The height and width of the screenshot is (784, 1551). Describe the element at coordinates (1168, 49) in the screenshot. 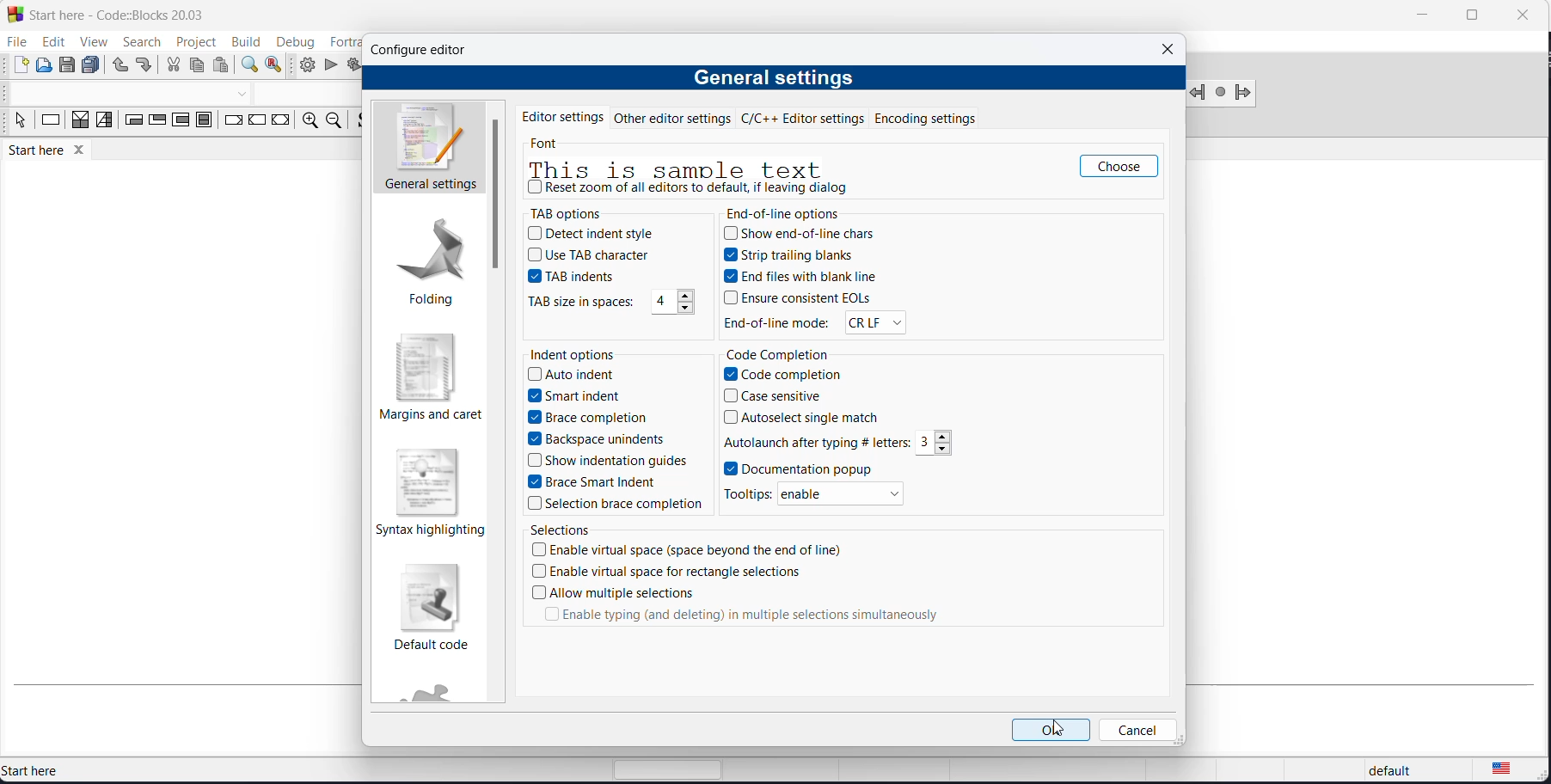

I see `close` at that location.